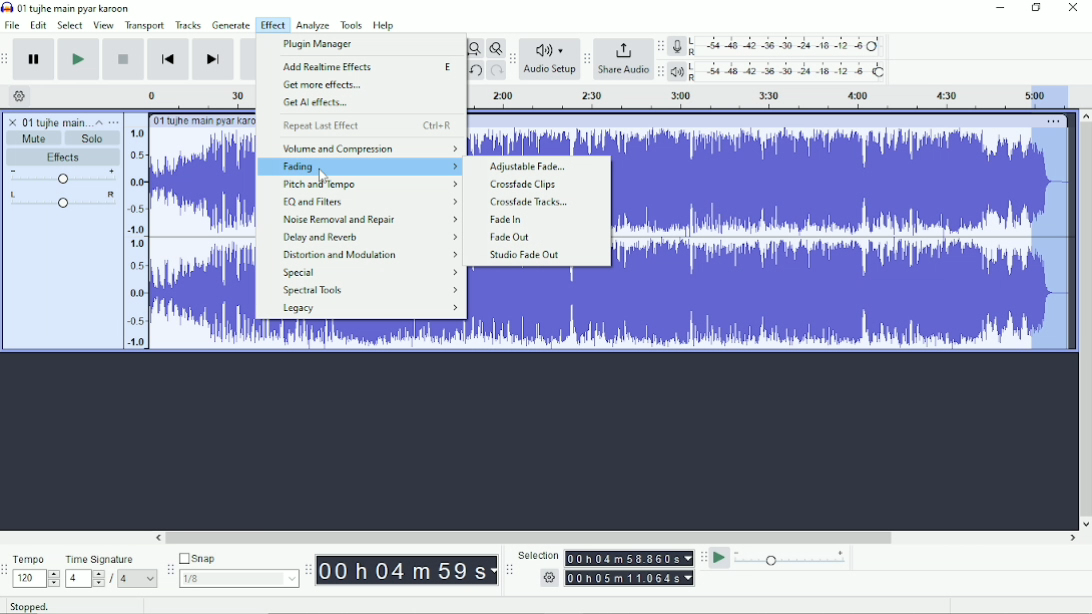  Describe the element at coordinates (624, 58) in the screenshot. I see `Share Audio` at that location.